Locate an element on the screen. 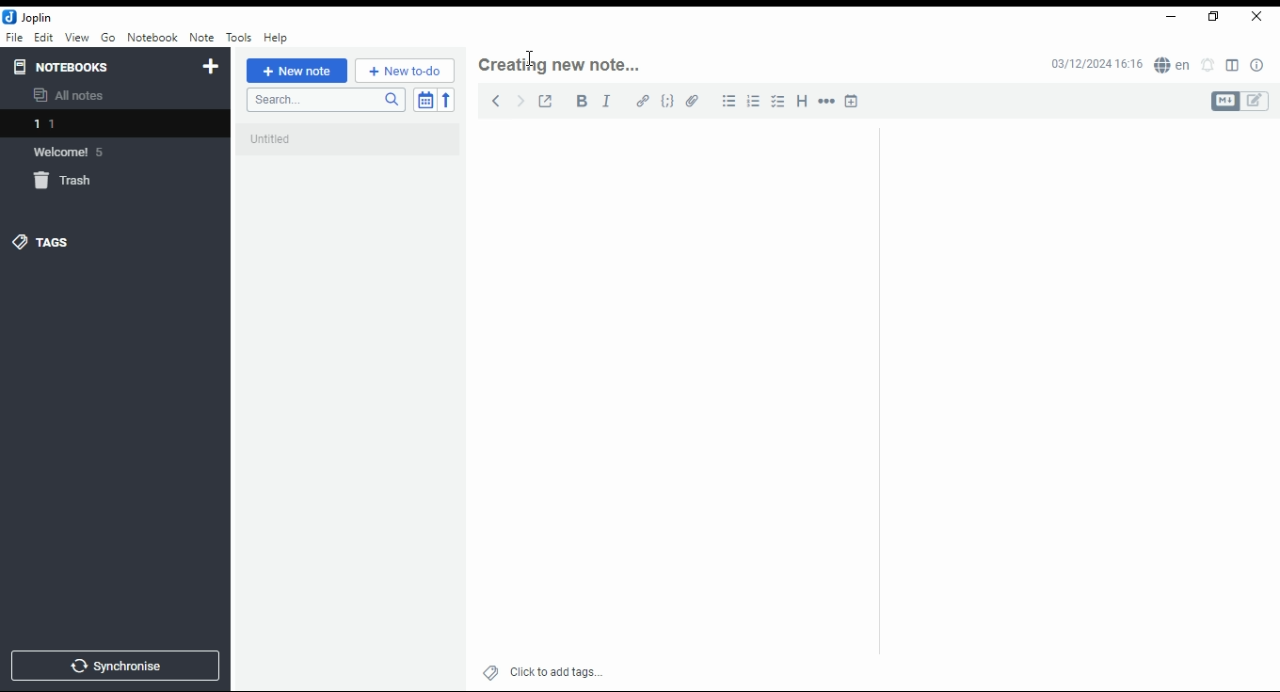  all notes is located at coordinates (74, 96).